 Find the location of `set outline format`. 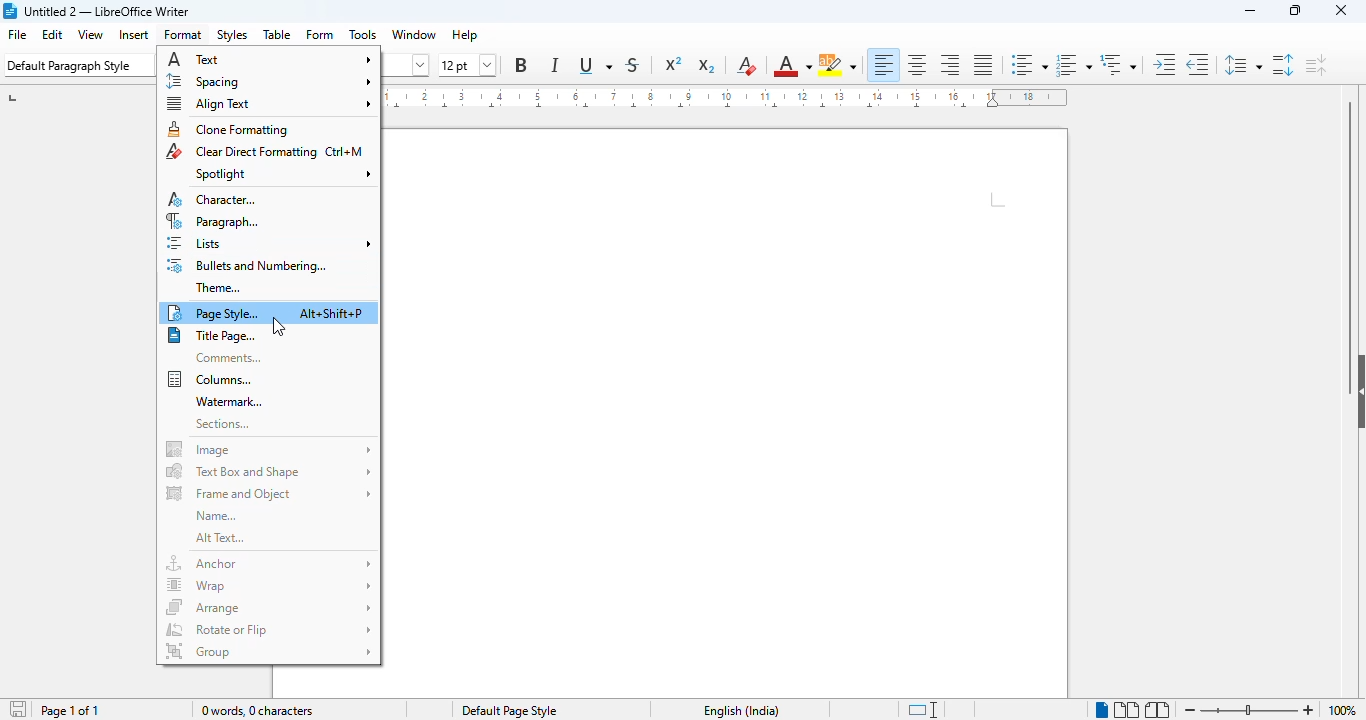

set outline format is located at coordinates (1118, 65).